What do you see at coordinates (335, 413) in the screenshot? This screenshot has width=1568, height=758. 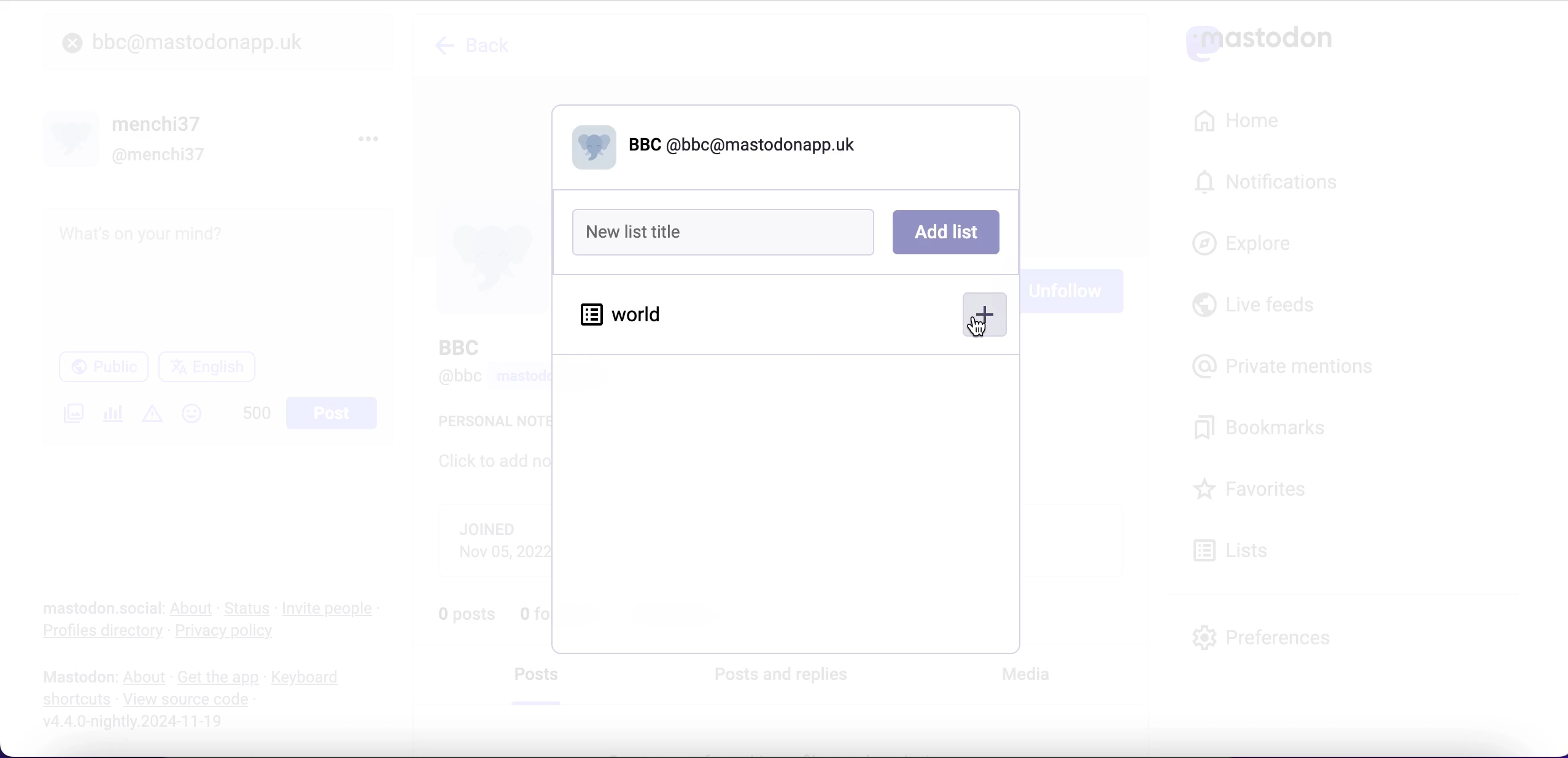 I see `post button` at bounding box center [335, 413].